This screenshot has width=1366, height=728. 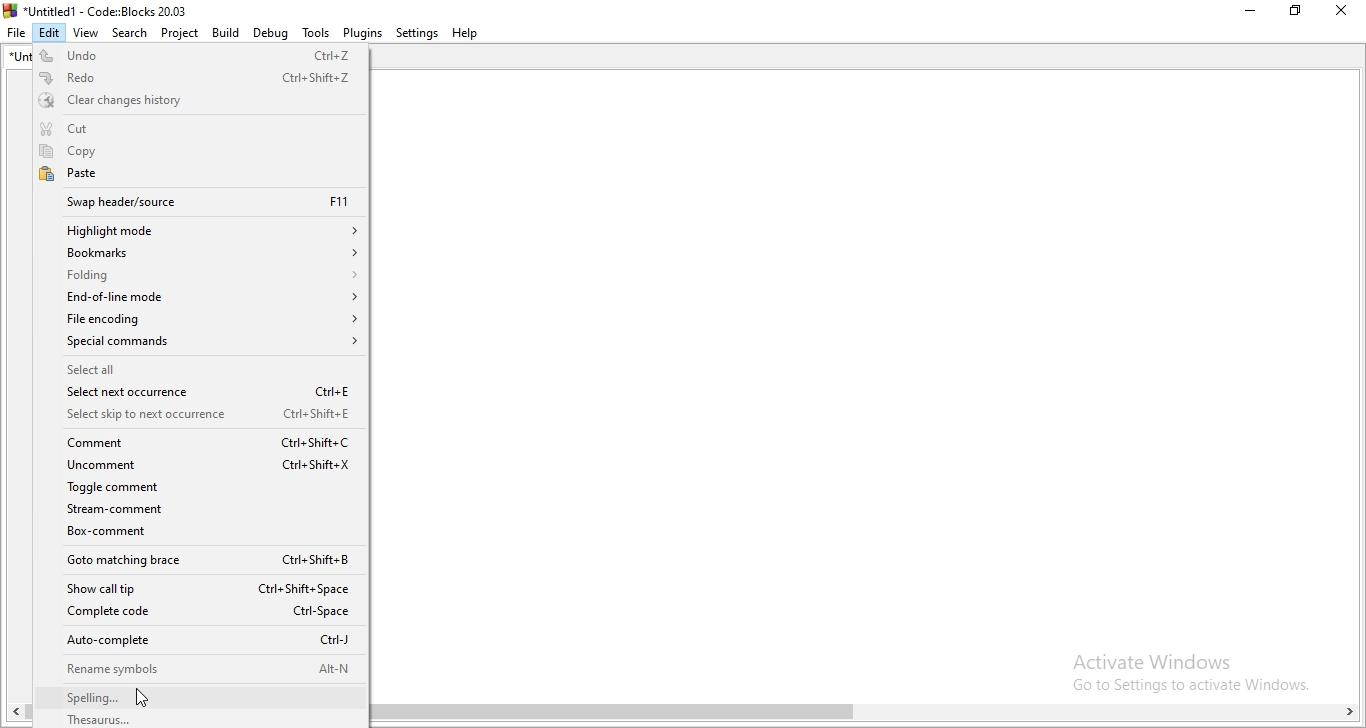 What do you see at coordinates (417, 34) in the screenshot?
I see `settings` at bounding box center [417, 34].